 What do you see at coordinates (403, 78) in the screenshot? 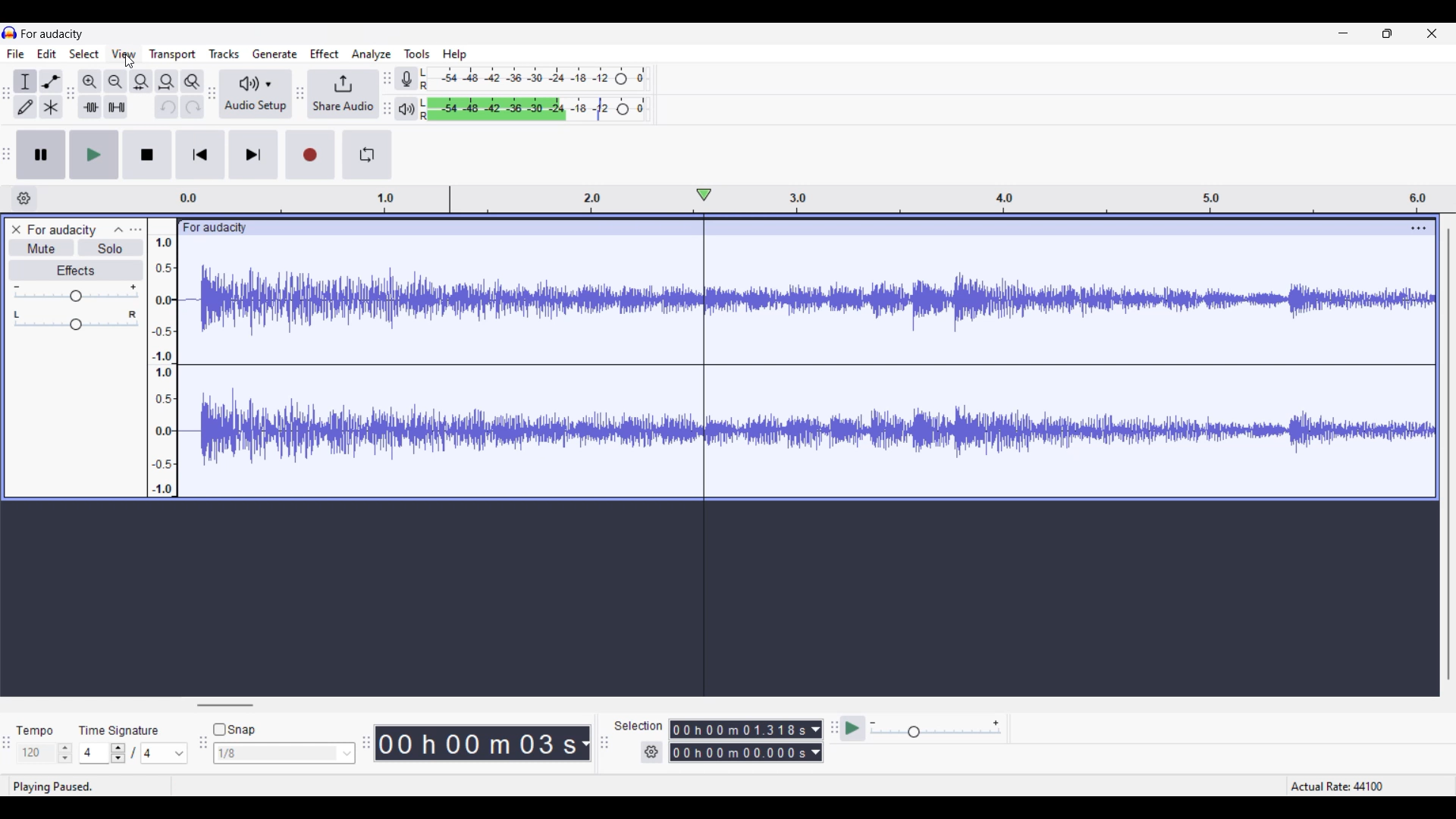
I see `Record meter` at bounding box center [403, 78].